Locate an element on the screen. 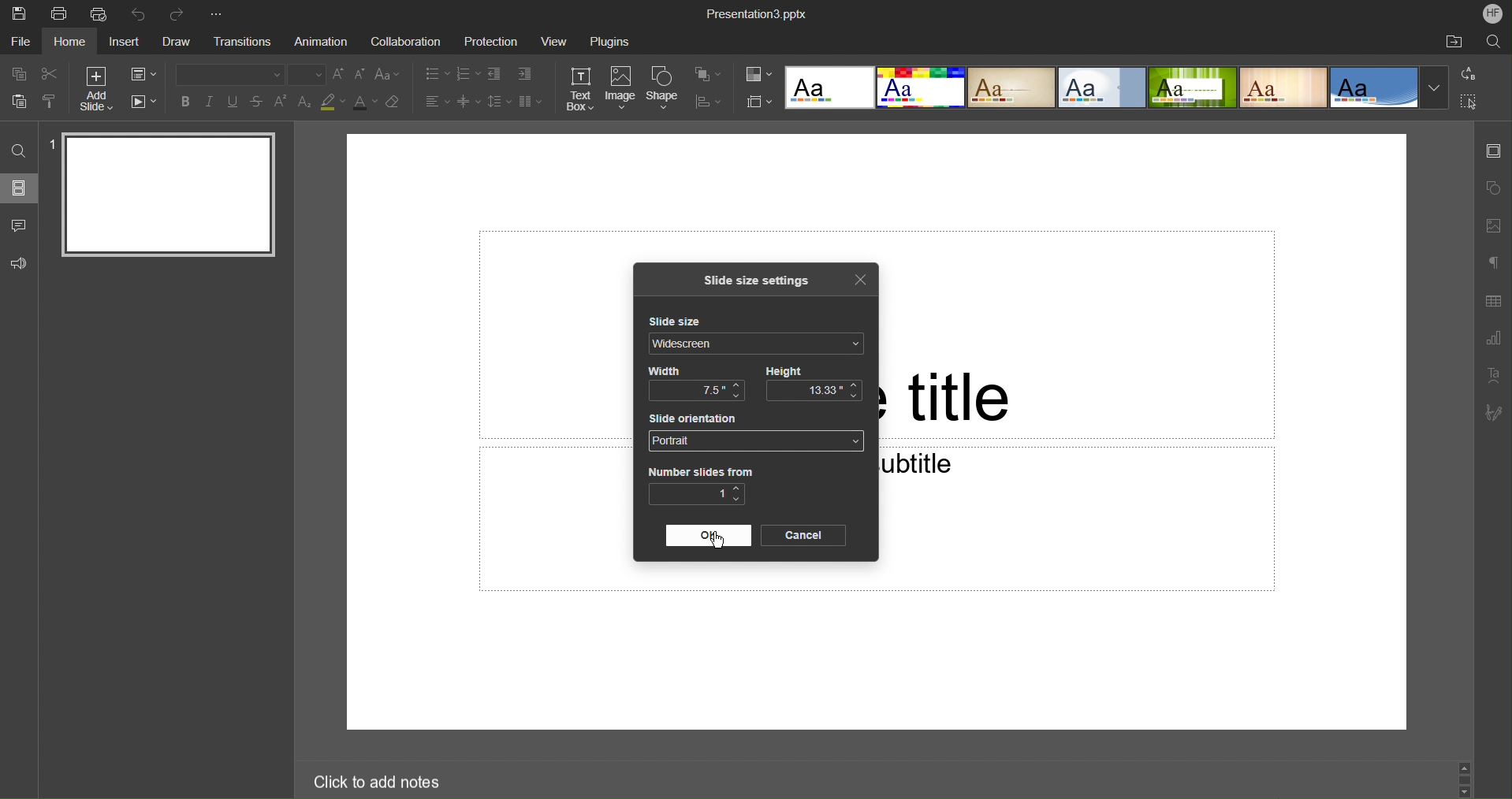 The height and width of the screenshot is (799, 1512). Search is located at coordinates (1492, 43).